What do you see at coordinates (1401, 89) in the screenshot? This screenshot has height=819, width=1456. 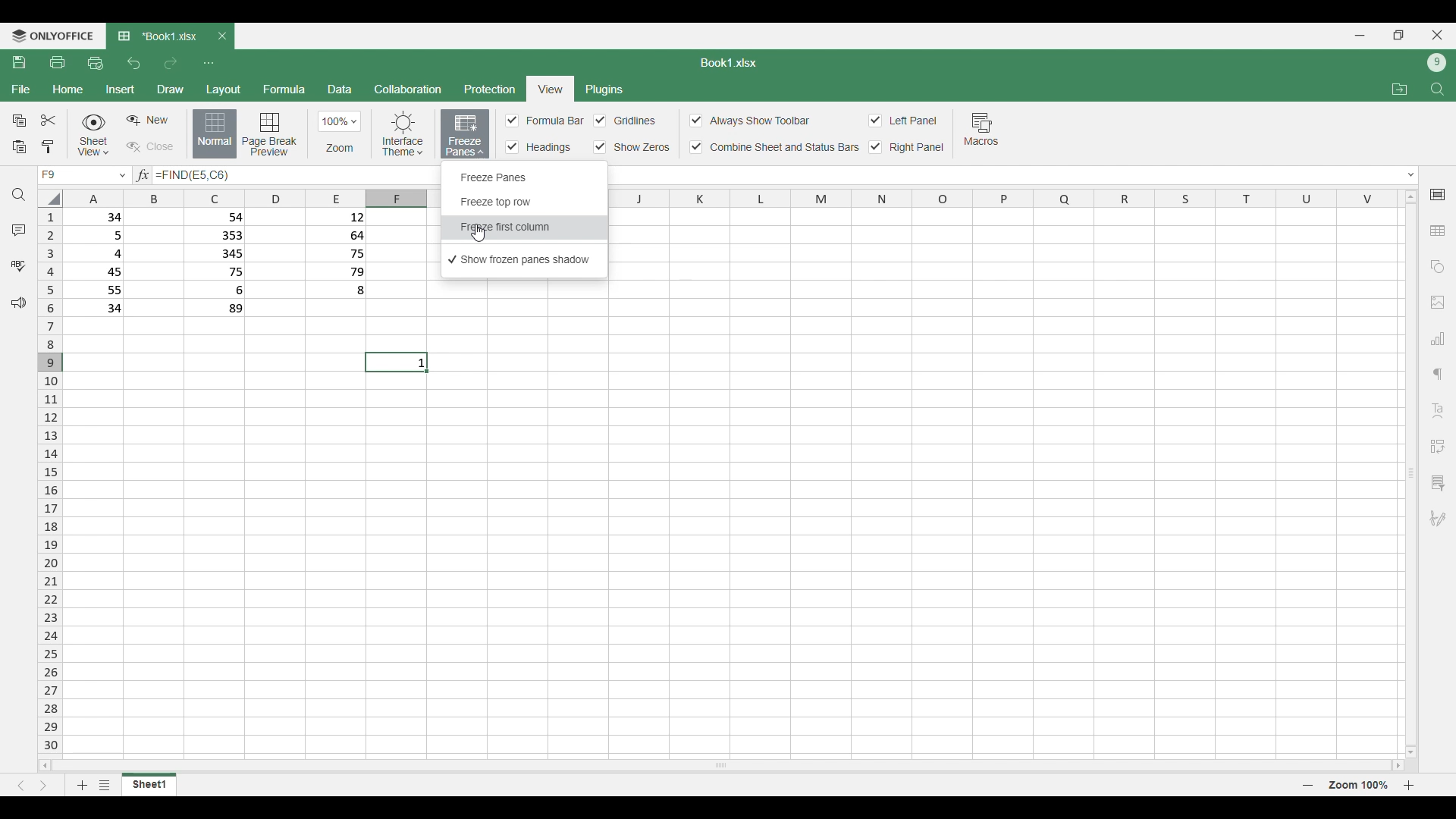 I see `Open file location` at bounding box center [1401, 89].